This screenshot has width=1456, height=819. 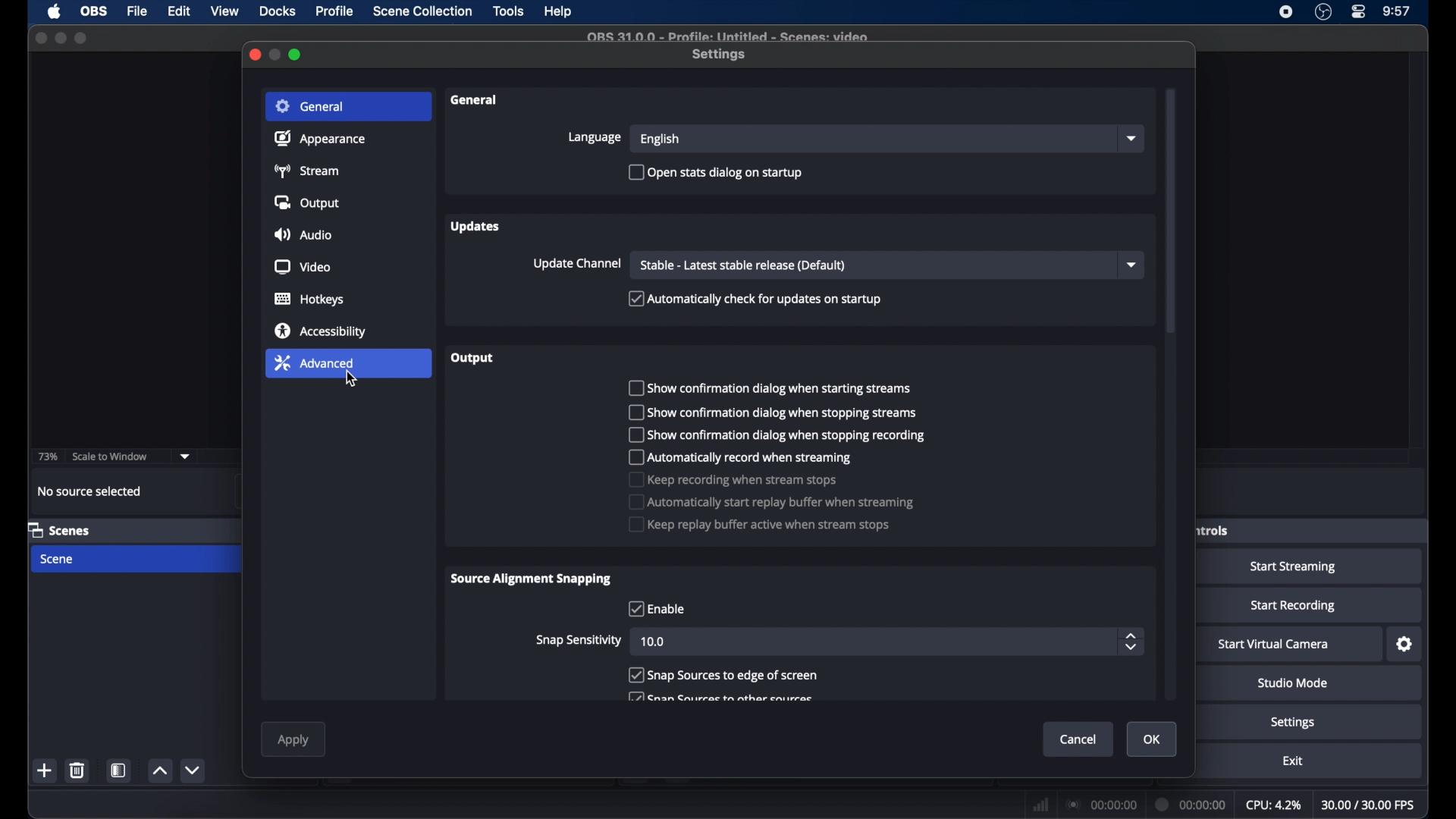 I want to click on hotkeys, so click(x=310, y=299).